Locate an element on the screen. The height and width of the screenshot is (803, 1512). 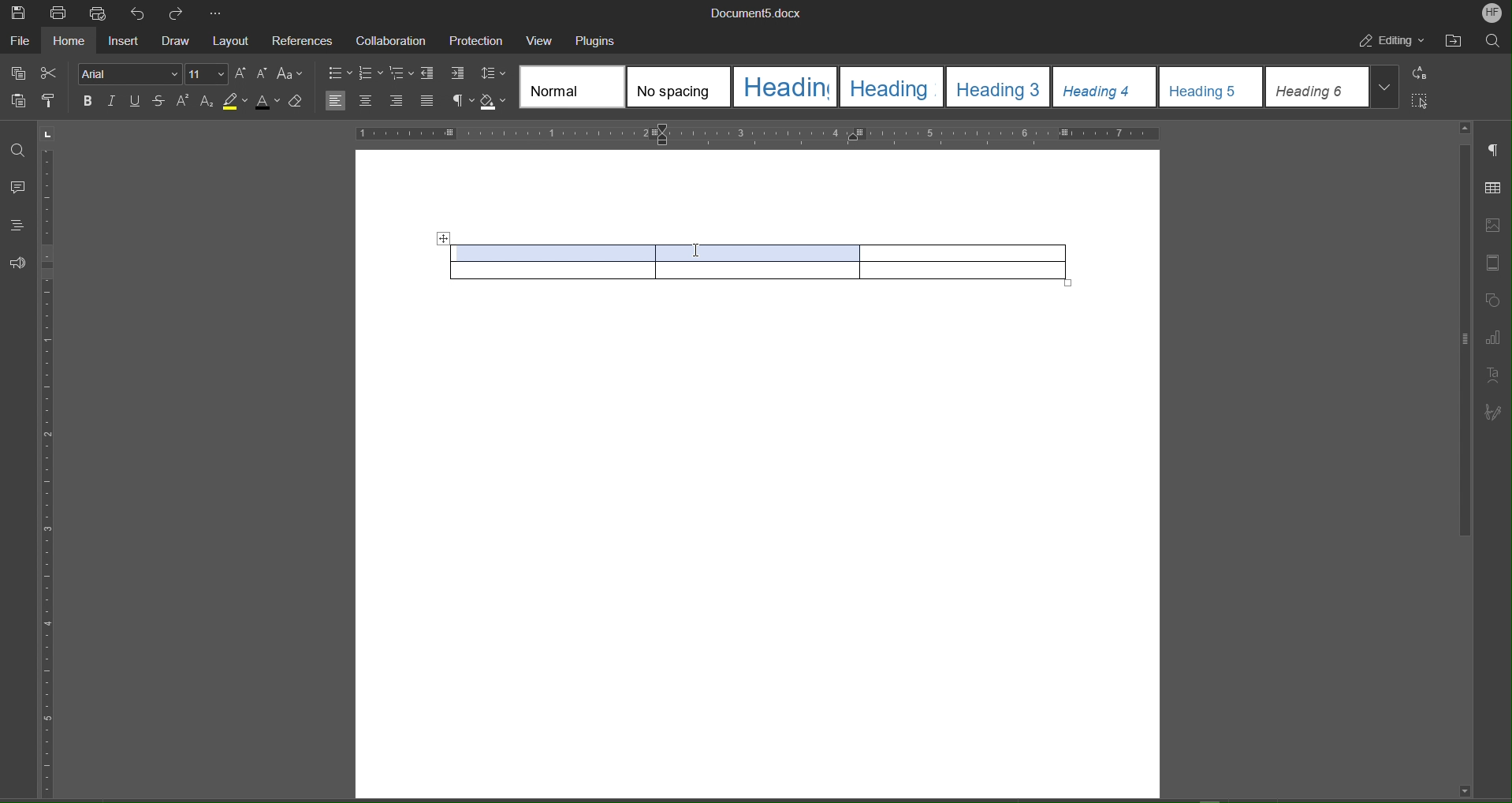
No spacing is located at coordinates (679, 87).